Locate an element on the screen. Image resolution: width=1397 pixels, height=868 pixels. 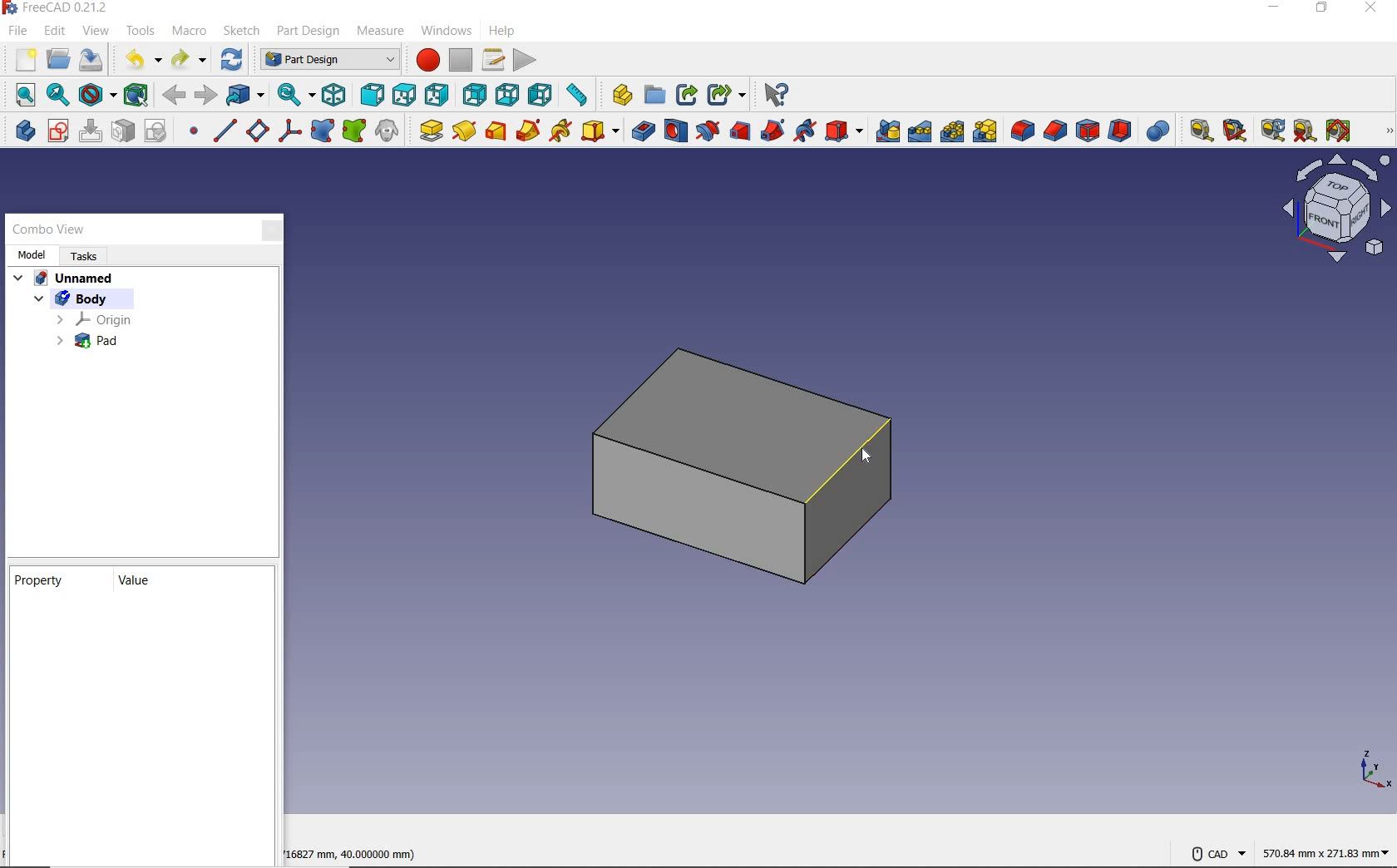
draft is located at coordinates (1088, 131).